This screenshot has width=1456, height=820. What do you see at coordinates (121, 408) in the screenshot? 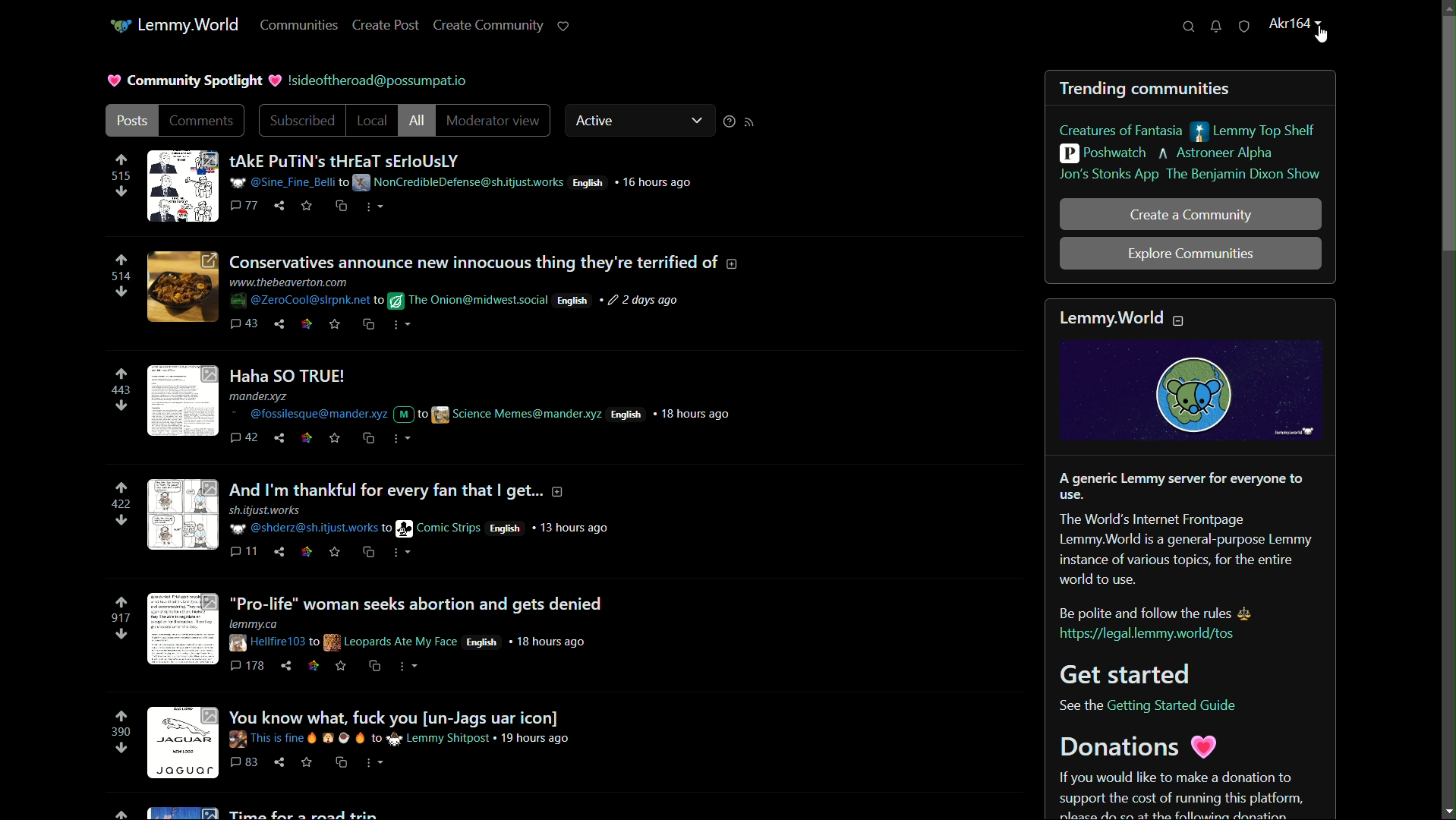
I see `downvote` at bounding box center [121, 408].